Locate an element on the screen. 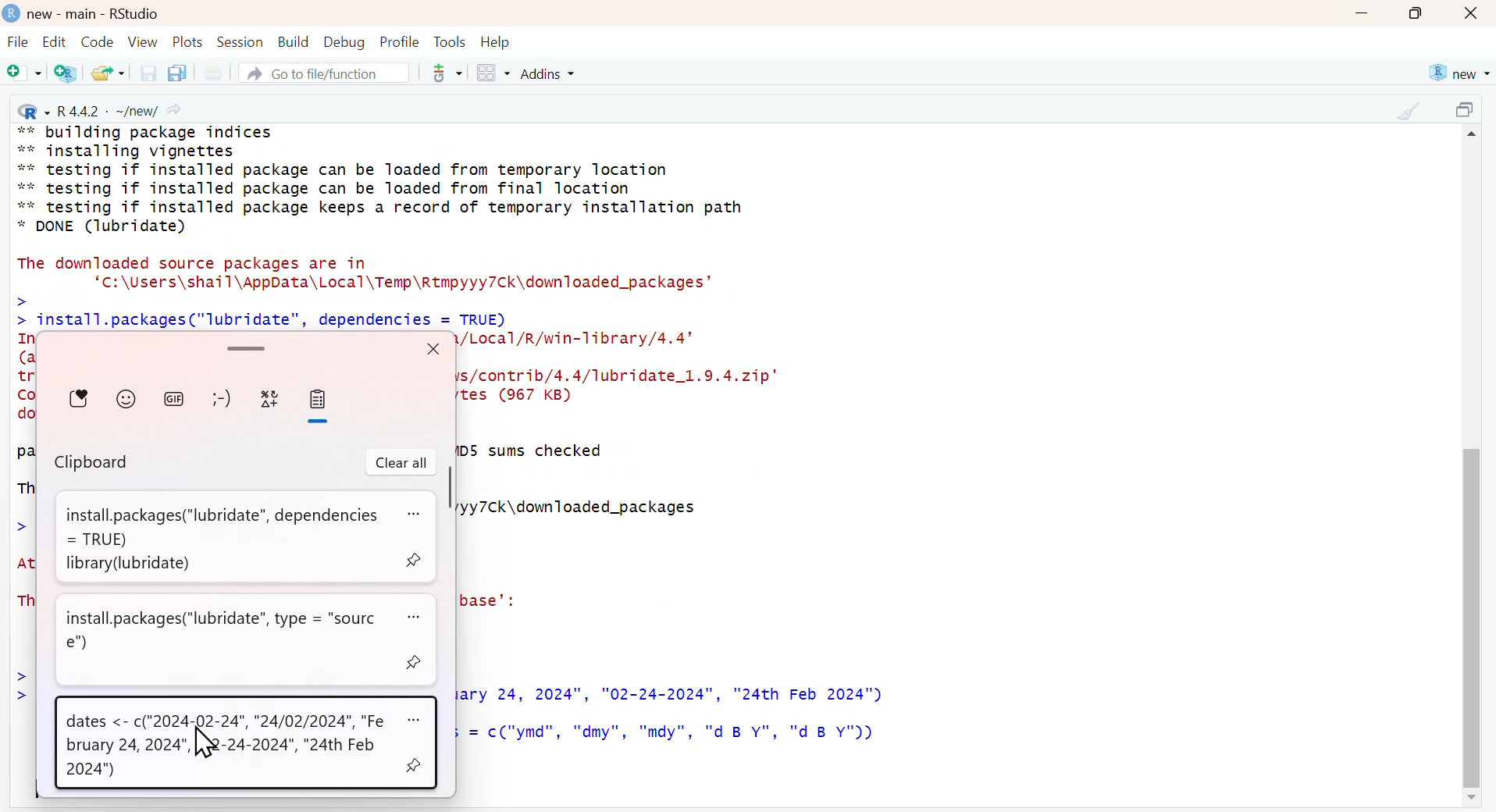 The image size is (1496, 812). Session is located at coordinates (240, 41).